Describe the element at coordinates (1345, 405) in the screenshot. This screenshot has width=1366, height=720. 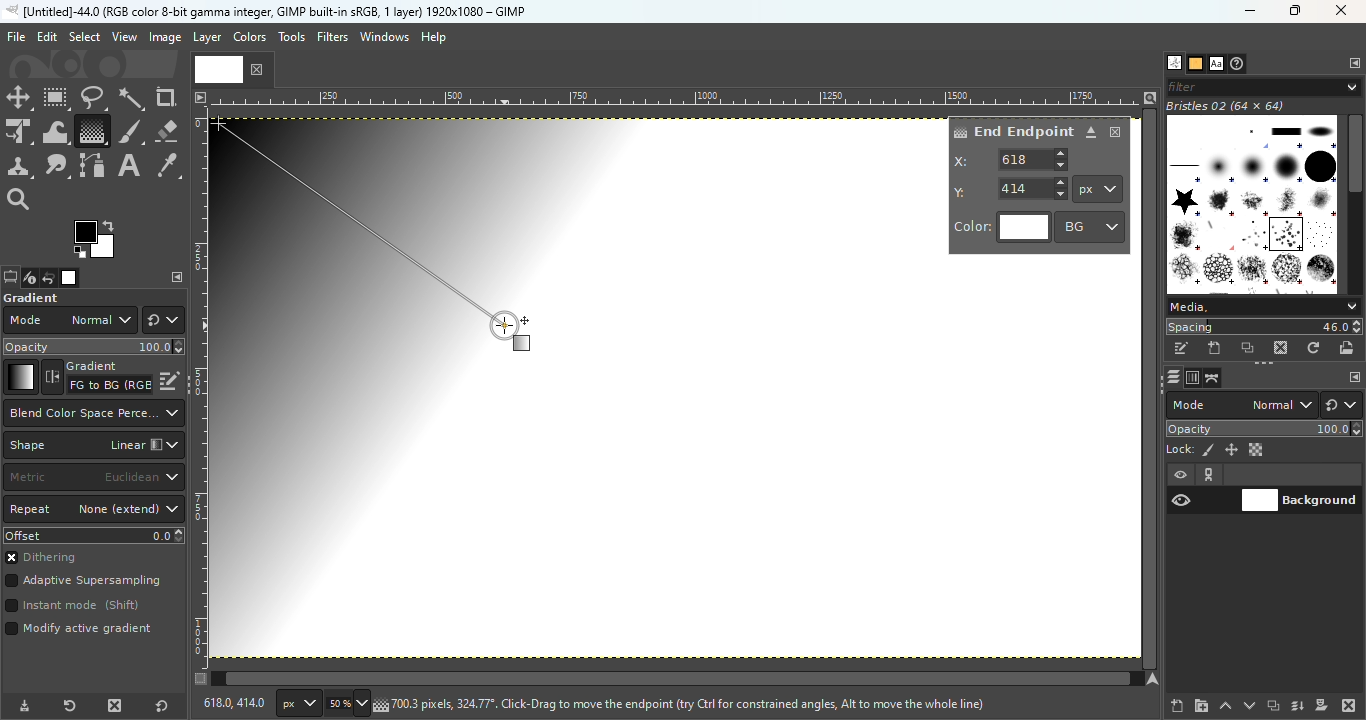
I see `Switch to another group of modes` at that location.